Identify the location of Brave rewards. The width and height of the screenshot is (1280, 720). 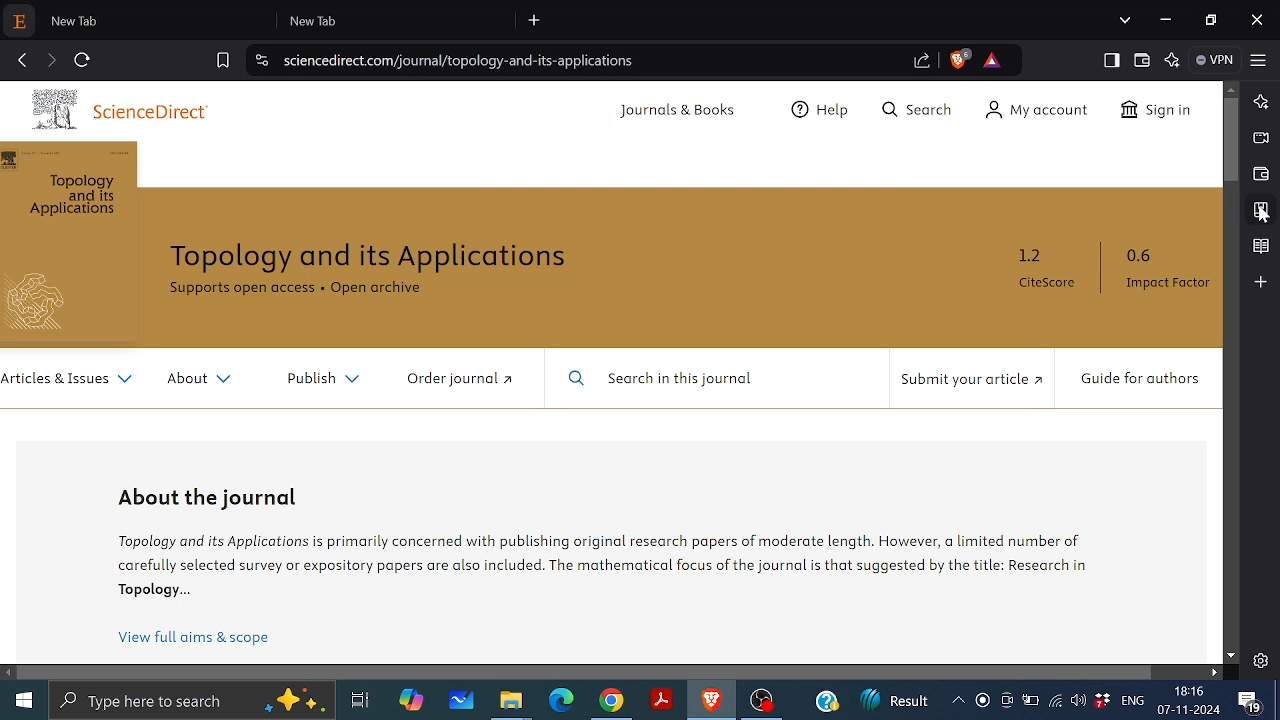
(992, 60).